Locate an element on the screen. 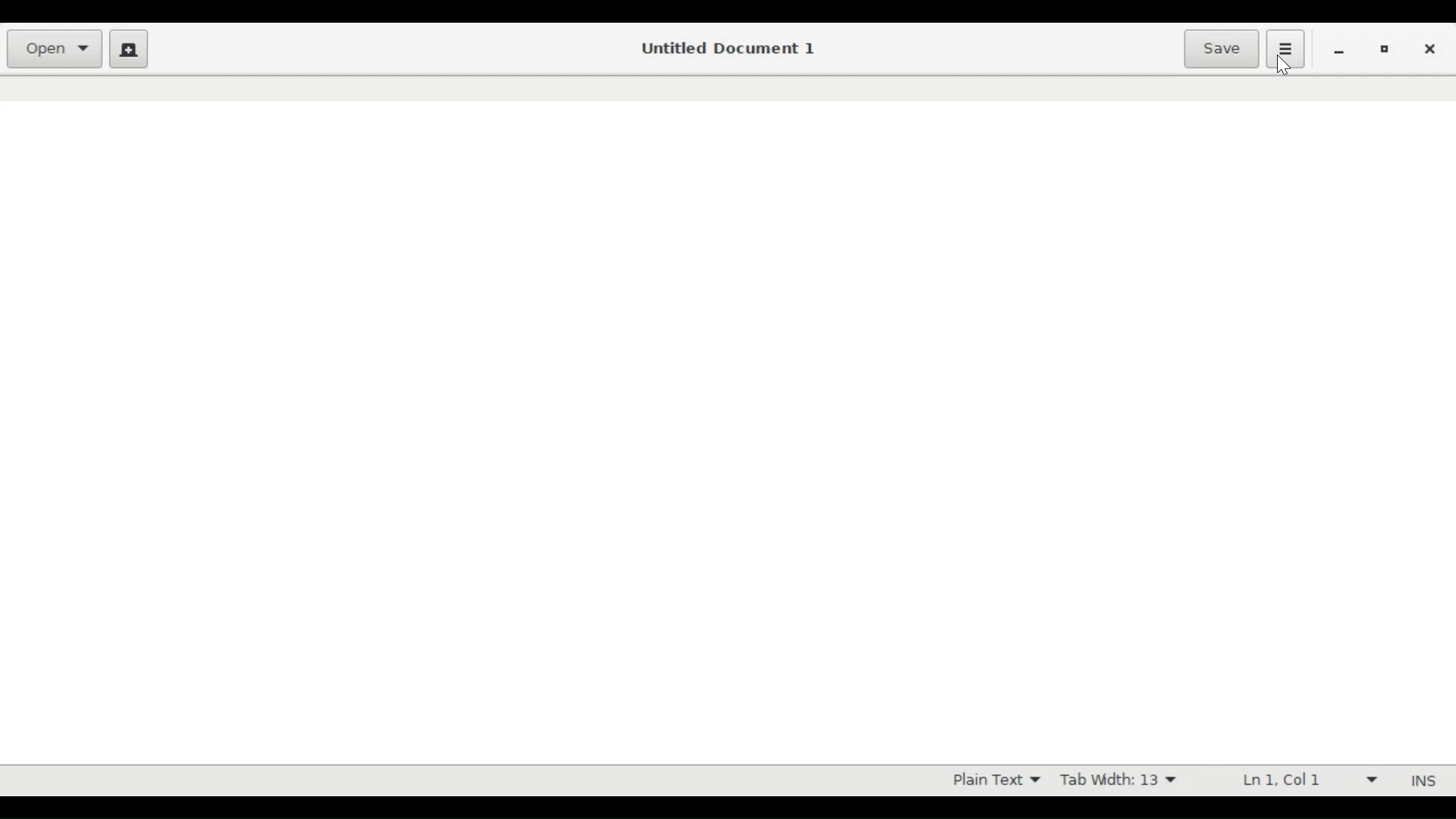 The height and width of the screenshot is (819, 1456). INS is located at coordinates (1420, 780).